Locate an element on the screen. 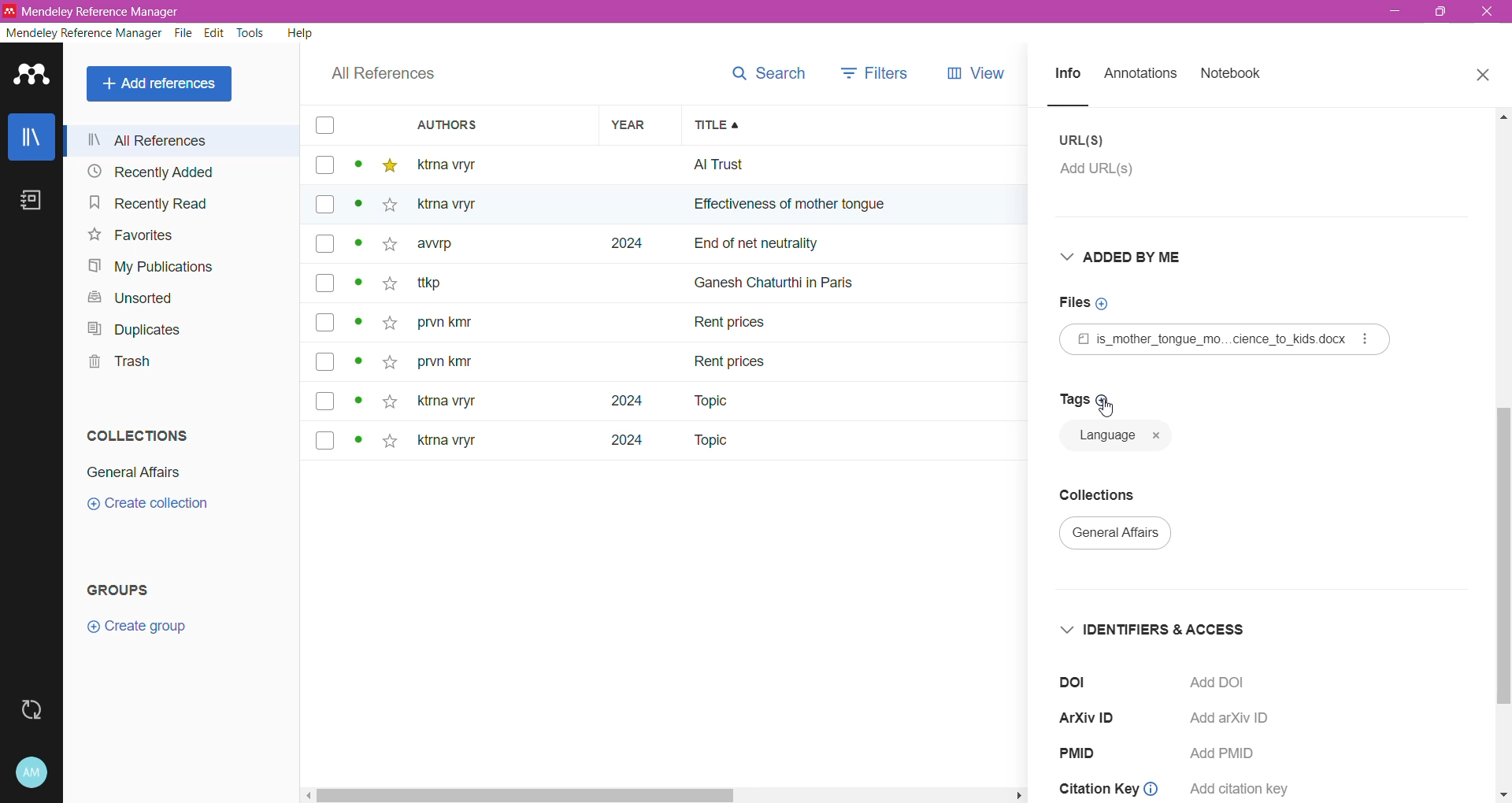  Close Tab is located at coordinates (1485, 76).